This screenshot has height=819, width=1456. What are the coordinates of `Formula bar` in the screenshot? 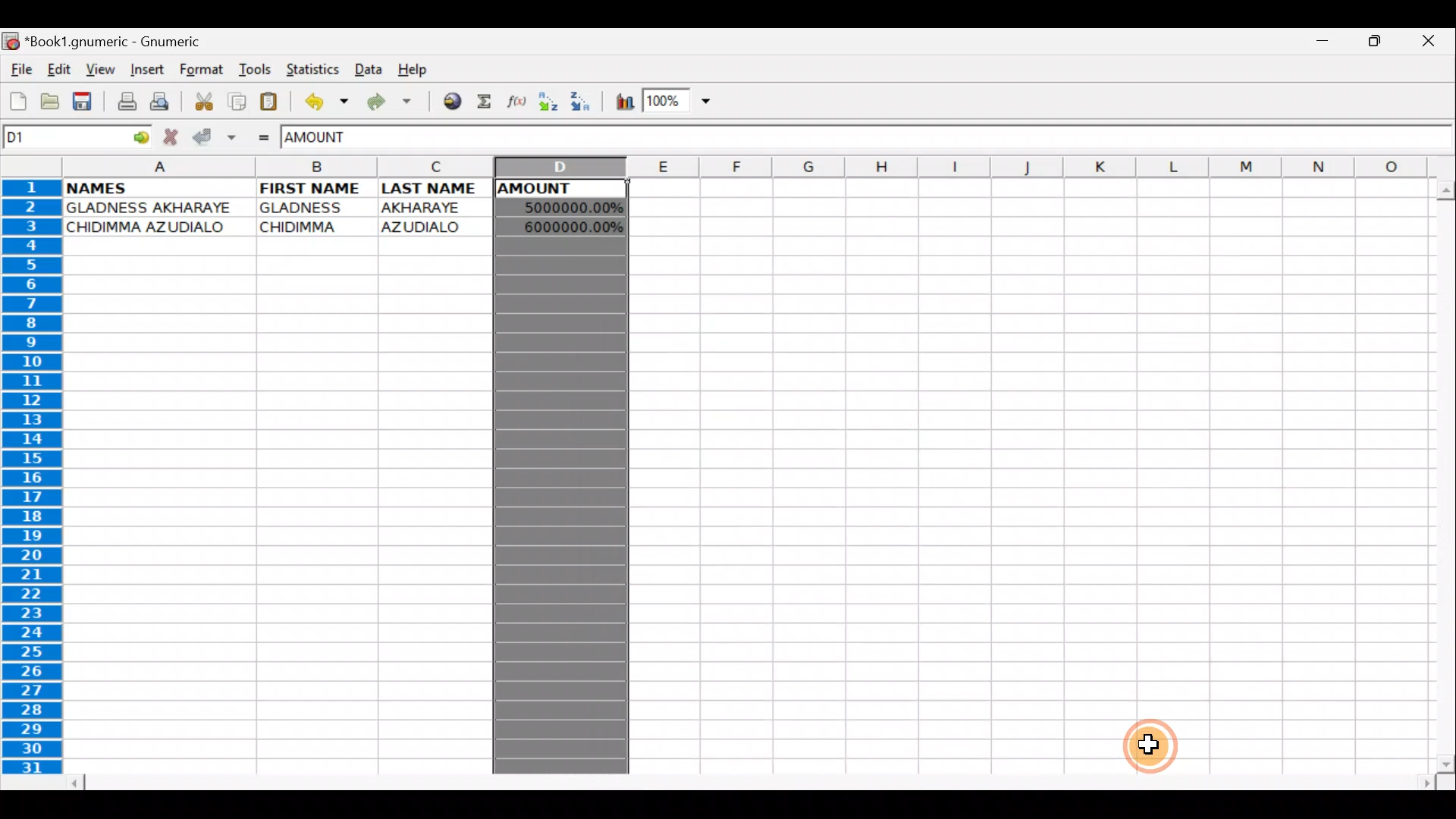 It's located at (923, 137).